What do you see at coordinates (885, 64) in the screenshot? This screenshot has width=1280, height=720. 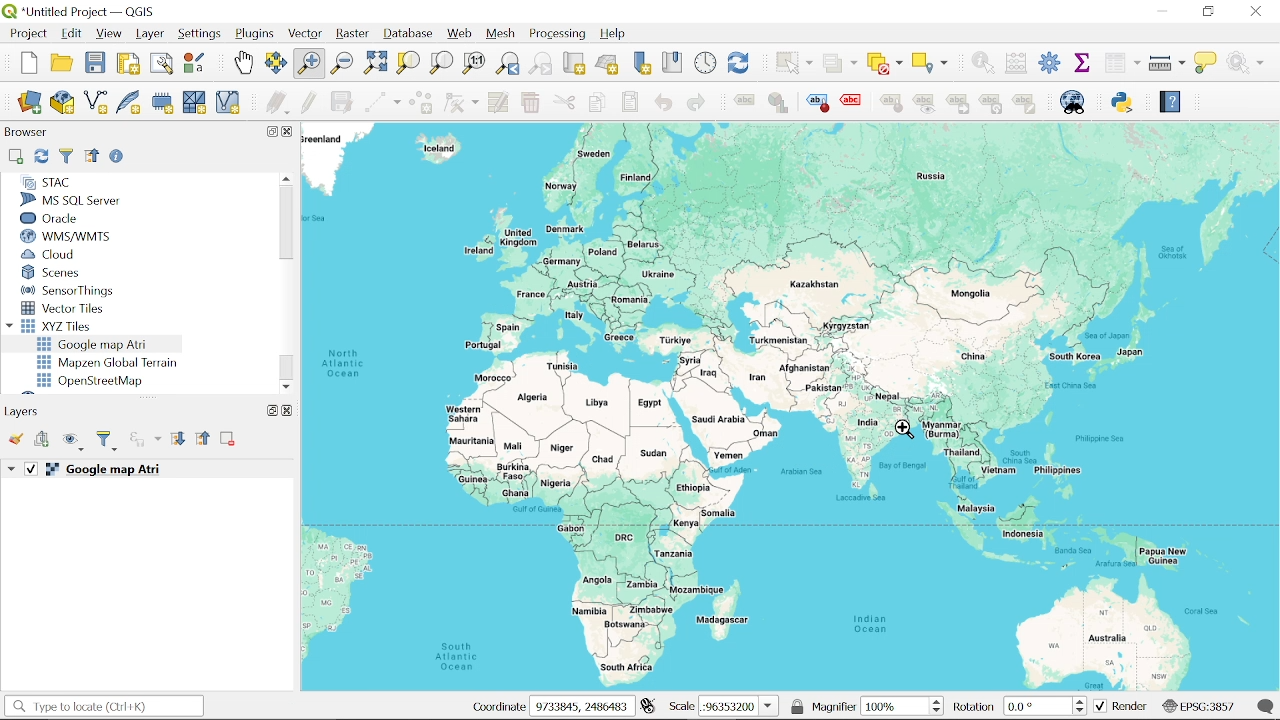 I see `Deelect features form all layers` at bounding box center [885, 64].